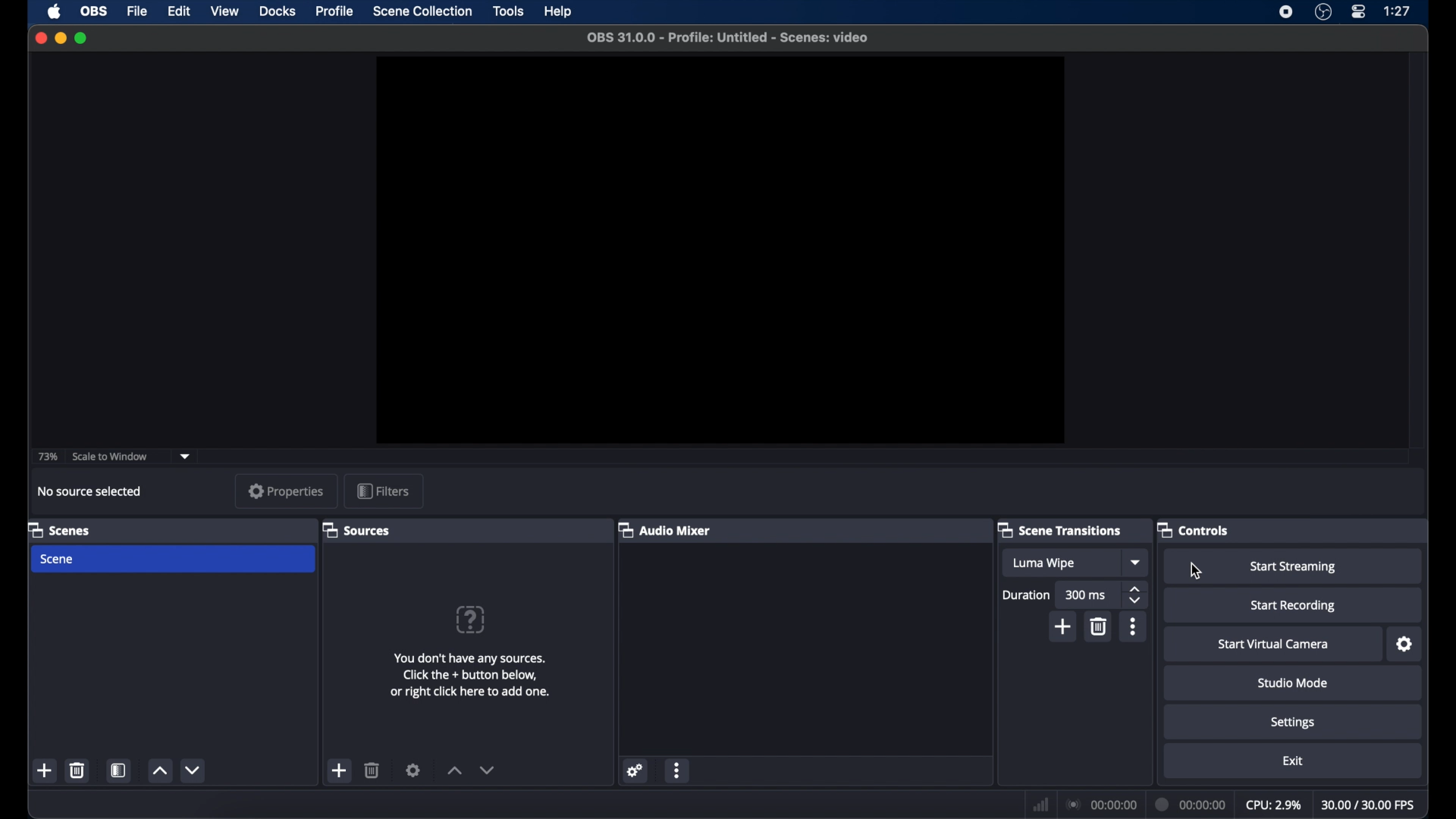 The height and width of the screenshot is (819, 1456). Describe the element at coordinates (58, 560) in the screenshot. I see `scene` at that location.